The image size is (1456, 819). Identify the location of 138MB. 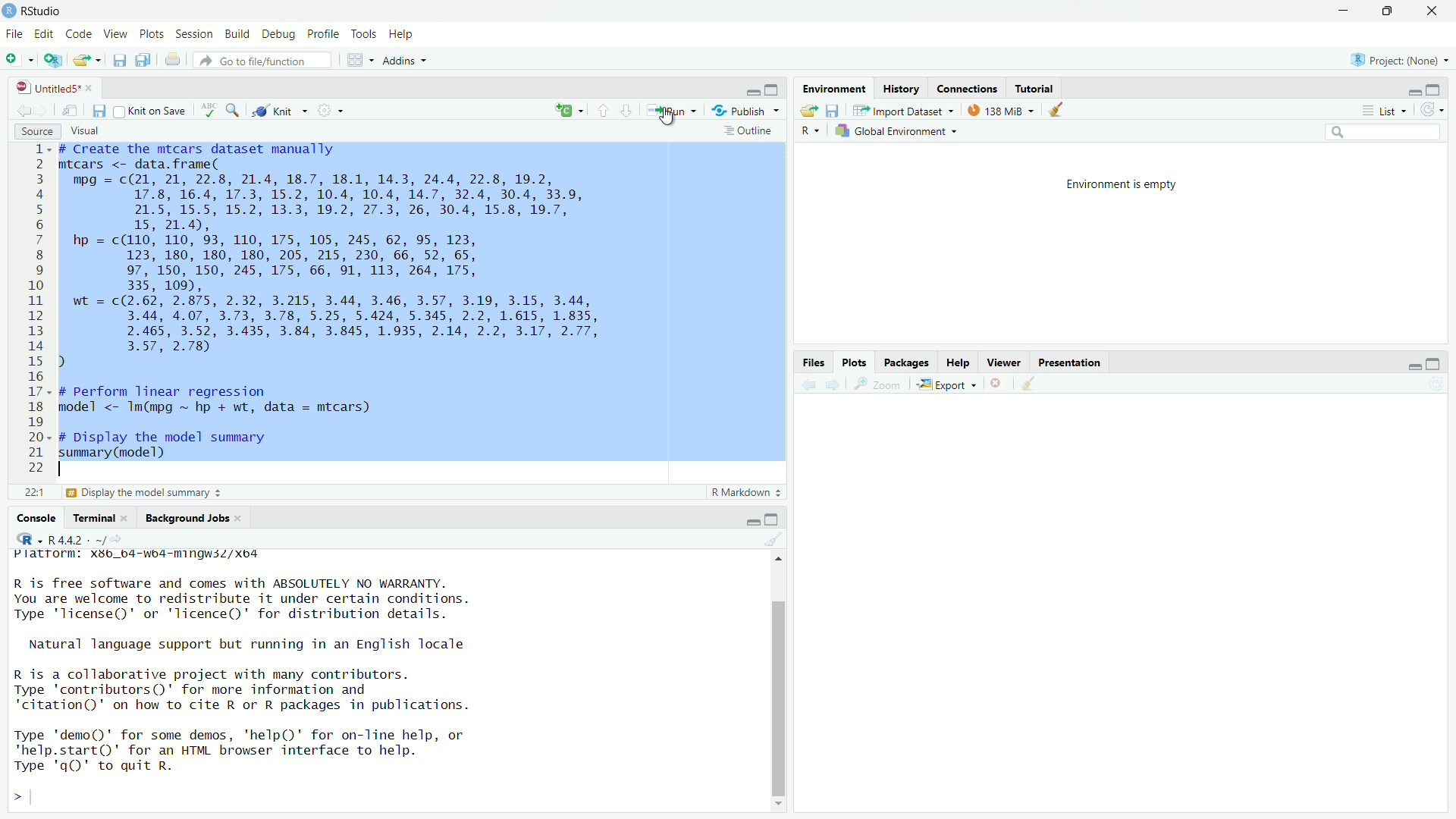
(1004, 112).